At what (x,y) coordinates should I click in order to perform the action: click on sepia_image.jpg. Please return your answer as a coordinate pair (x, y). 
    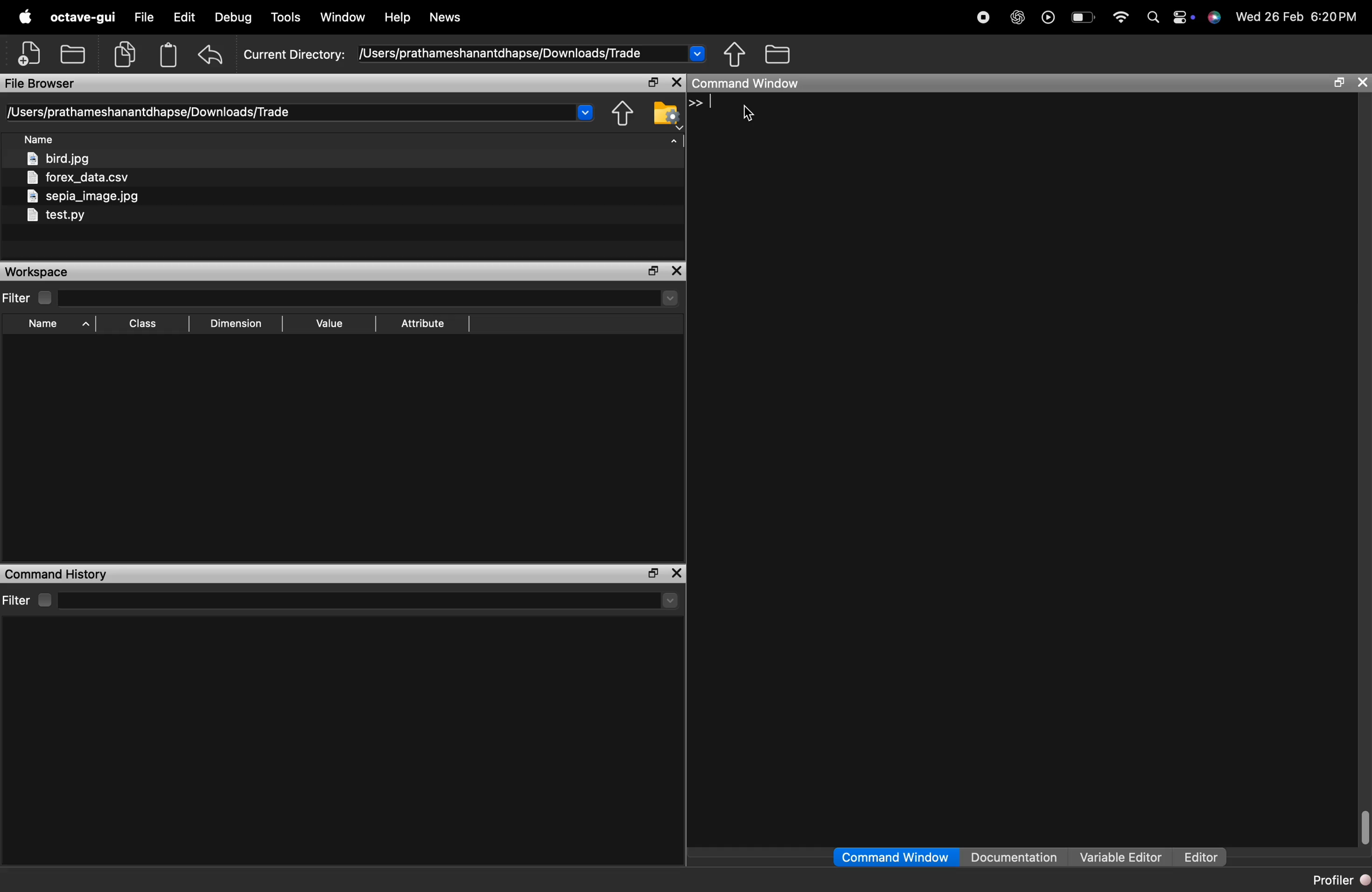
    Looking at the image, I should click on (84, 196).